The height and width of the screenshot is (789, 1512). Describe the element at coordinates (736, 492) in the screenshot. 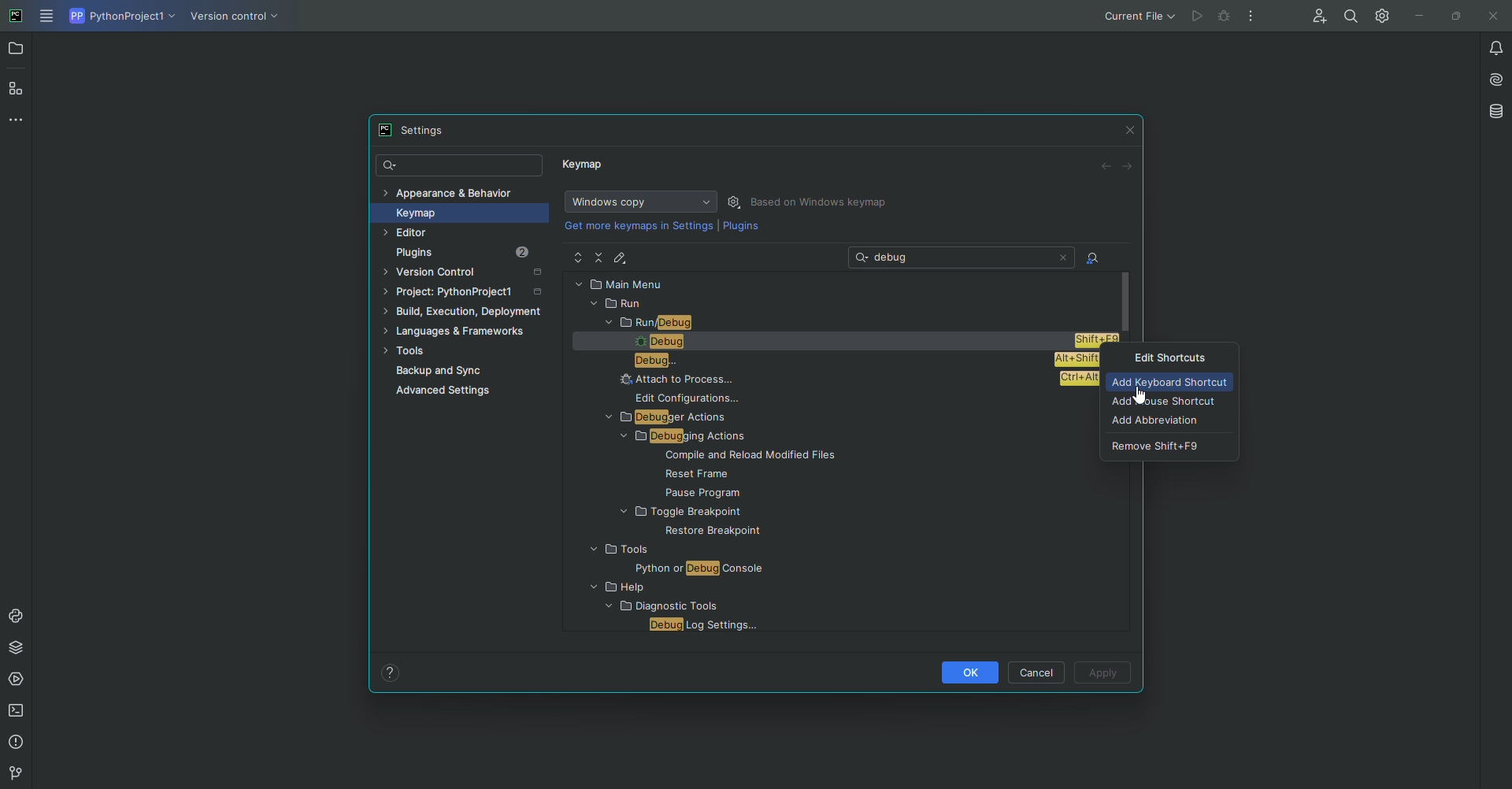

I see `FILE NAME` at that location.